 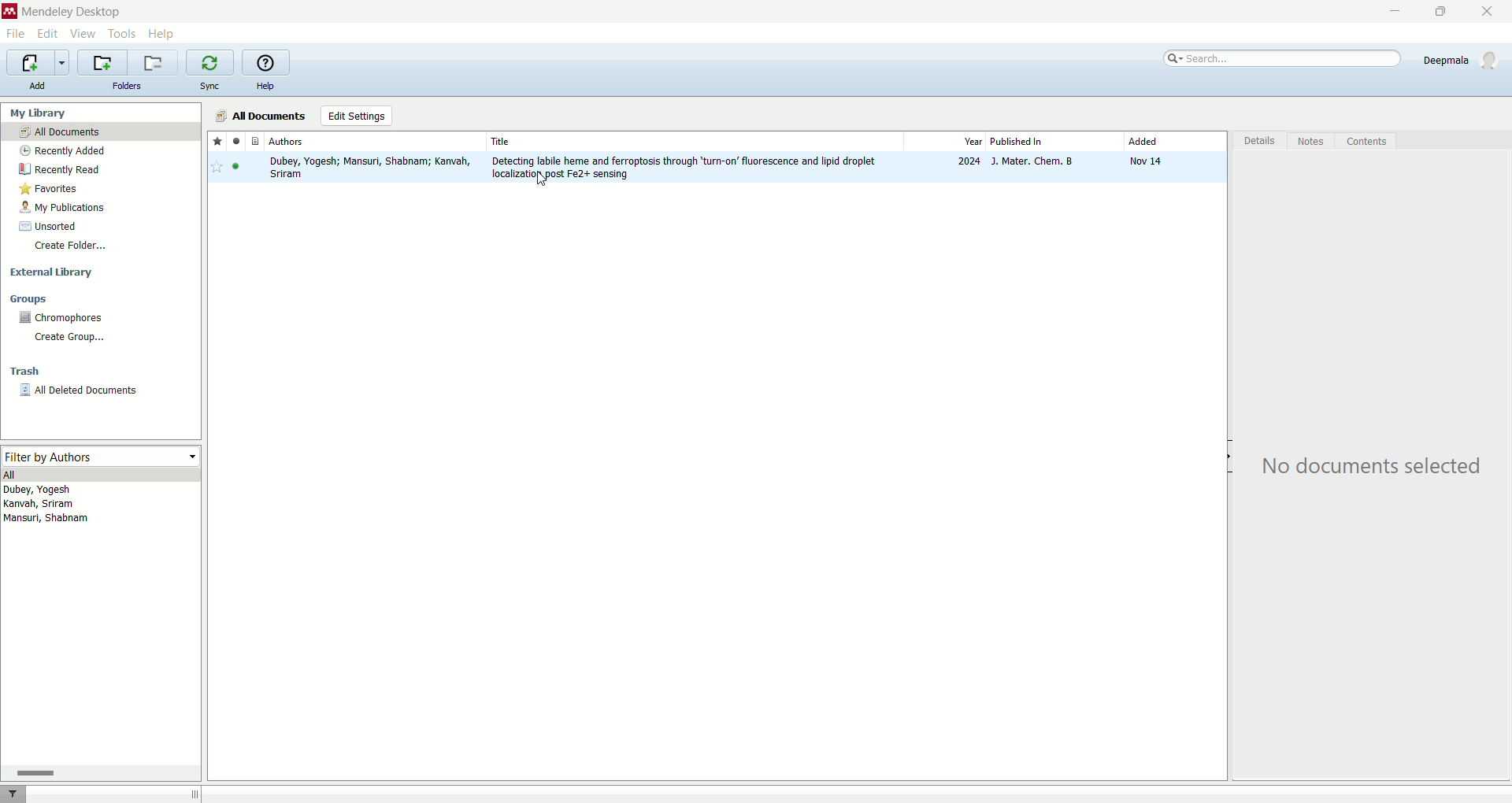 What do you see at coordinates (1314, 142) in the screenshot?
I see `notes` at bounding box center [1314, 142].